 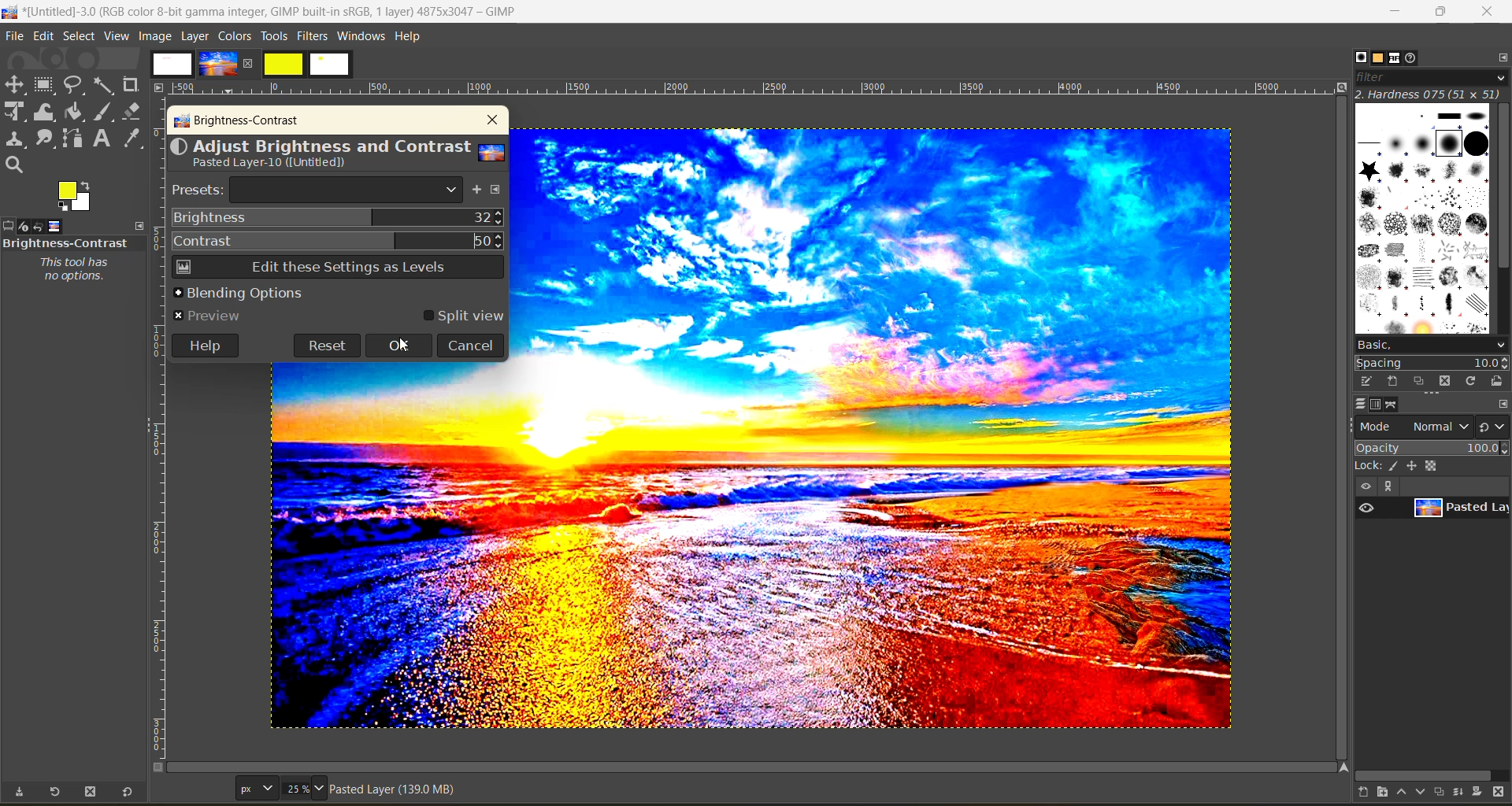 What do you see at coordinates (69, 775) in the screenshot?
I see `horizontal scroll bar` at bounding box center [69, 775].